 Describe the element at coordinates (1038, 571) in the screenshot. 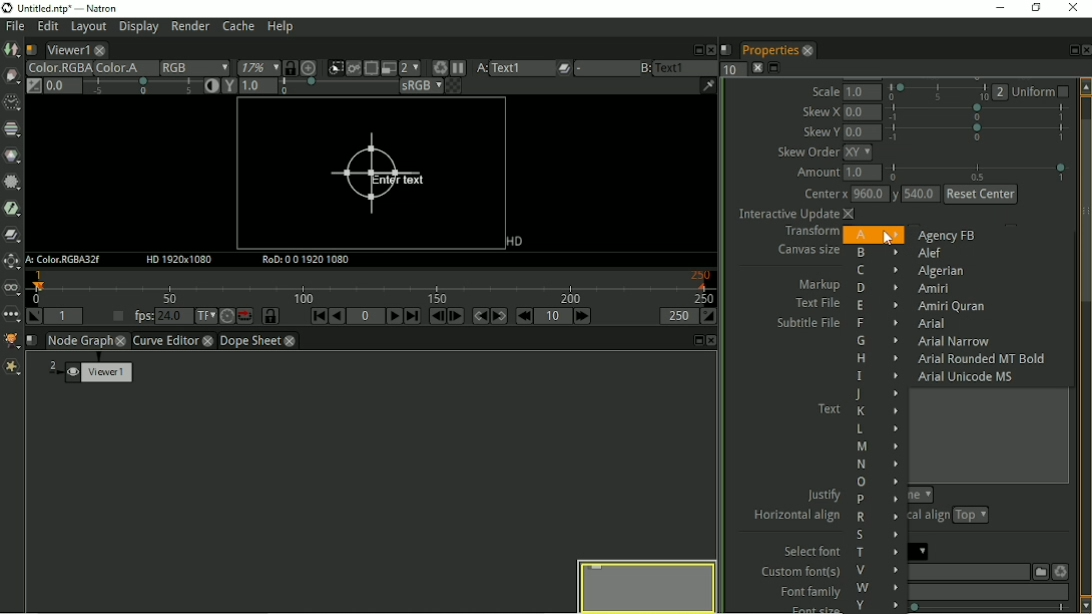

I see `Custom` at that location.